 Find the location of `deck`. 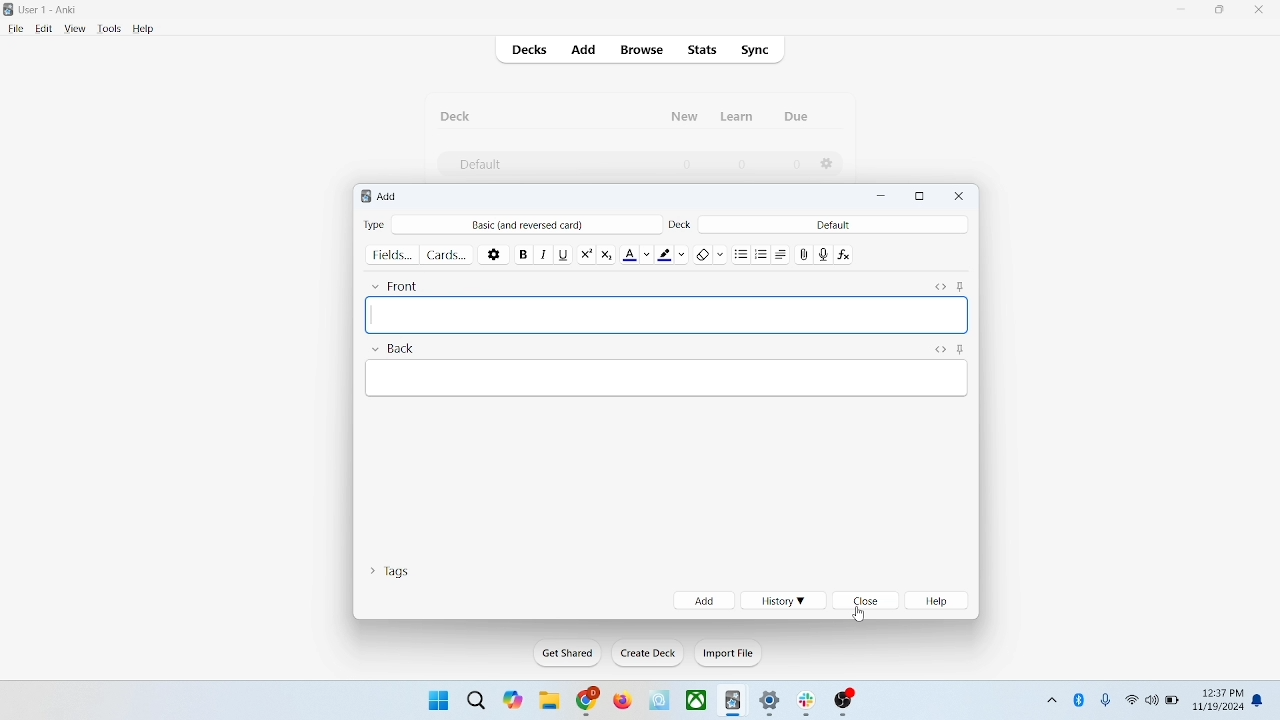

deck is located at coordinates (682, 223).